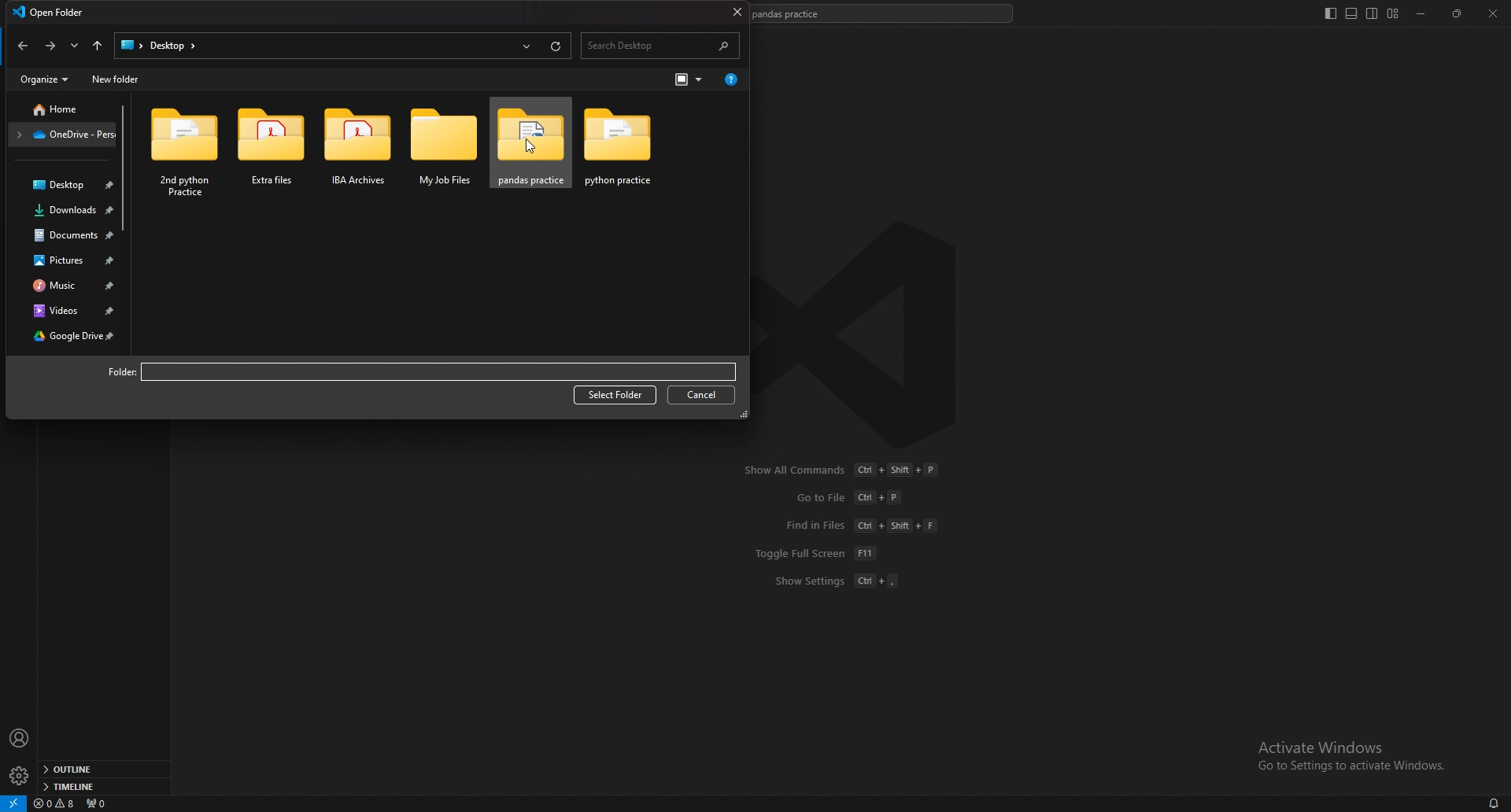 The width and height of the screenshot is (1511, 812). Describe the element at coordinates (632, 153) in the screenshot. I see `pandas practice` at that location.